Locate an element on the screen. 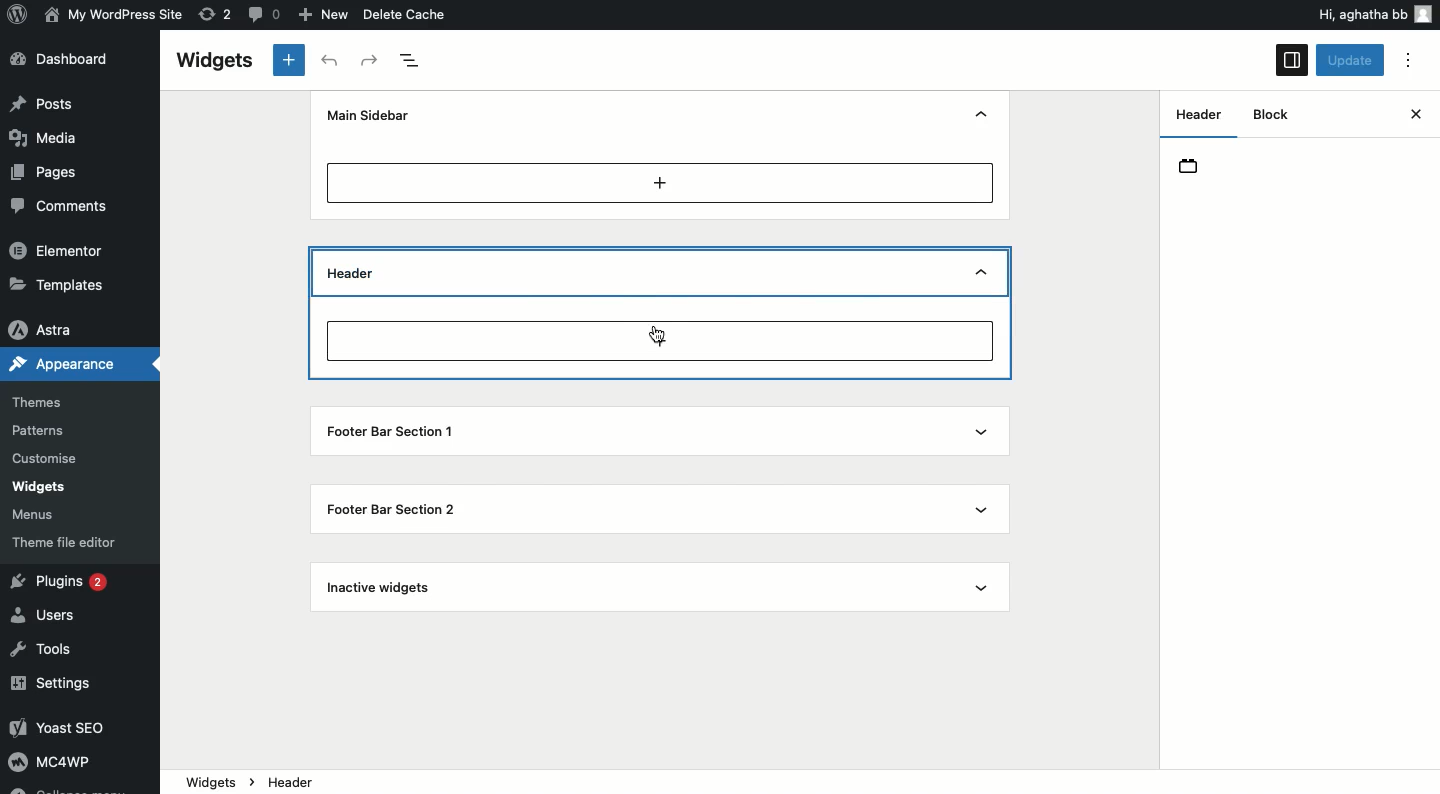 The image size is (1440, 794). Show is located at coordinates (982, 588).